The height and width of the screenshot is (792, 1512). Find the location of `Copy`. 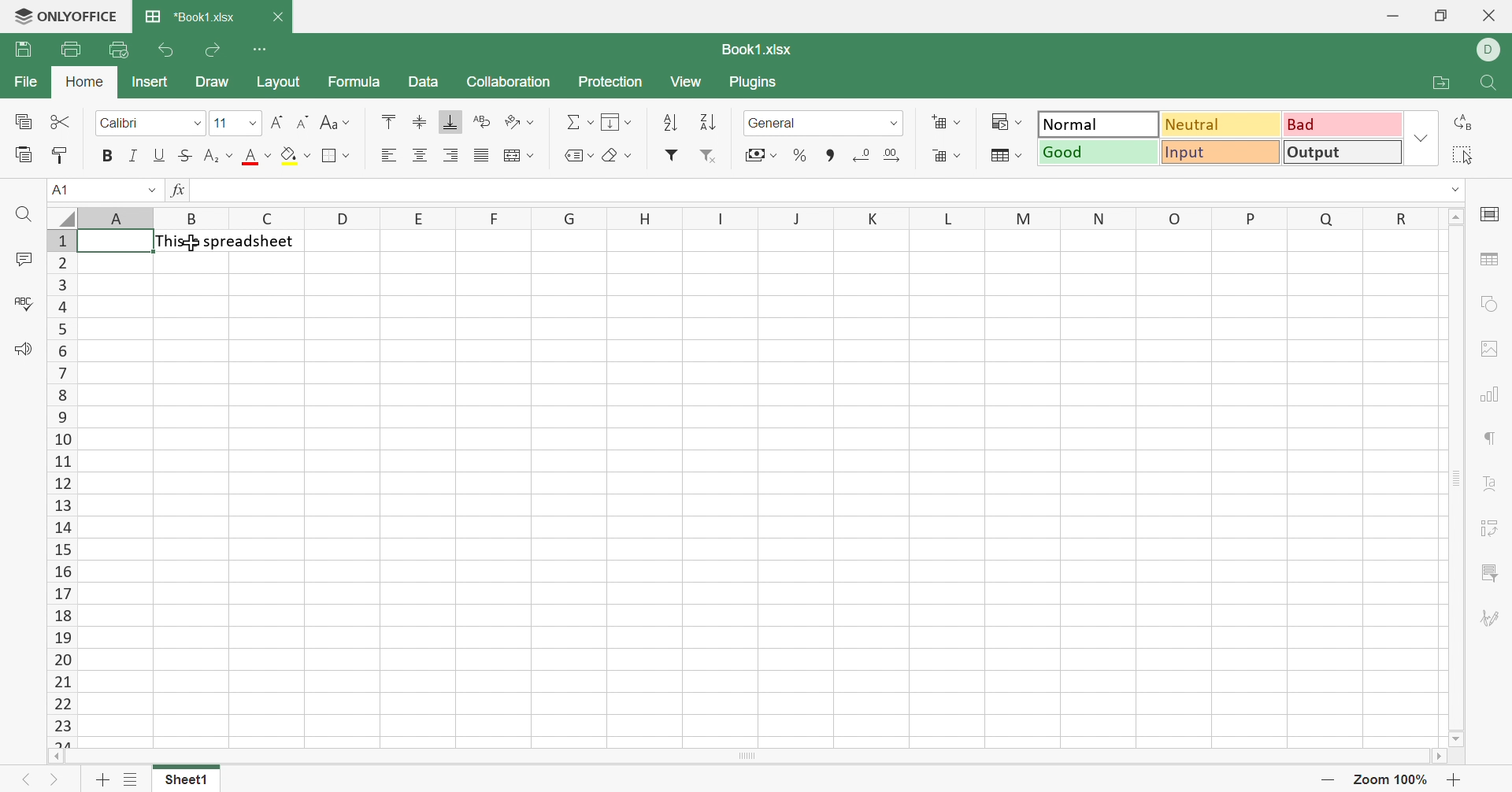

Copy is located at coordinates (22, 121).